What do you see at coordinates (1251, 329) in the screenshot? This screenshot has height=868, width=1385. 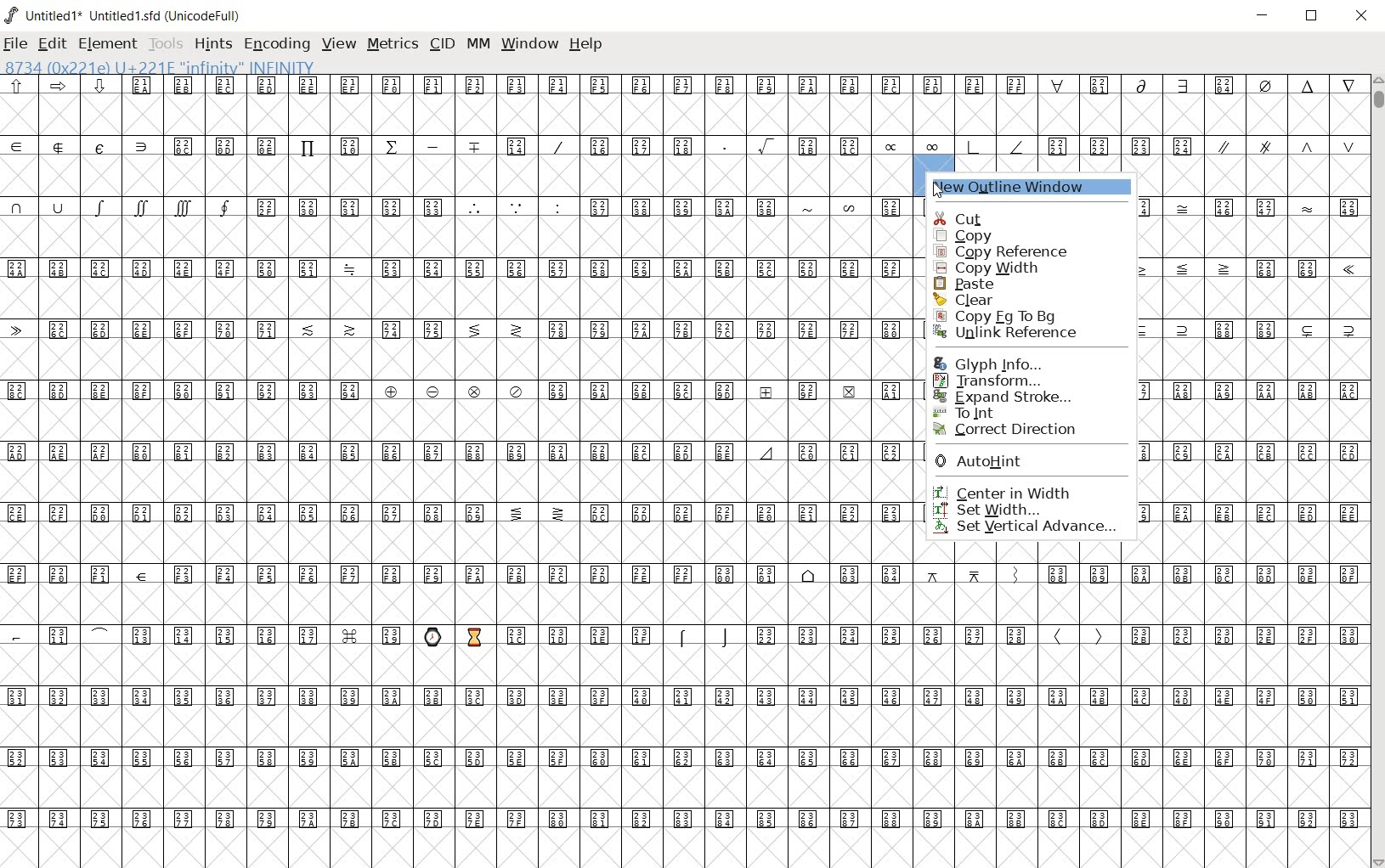 I see `Unicode code points` at bounding box center [1251, 329].